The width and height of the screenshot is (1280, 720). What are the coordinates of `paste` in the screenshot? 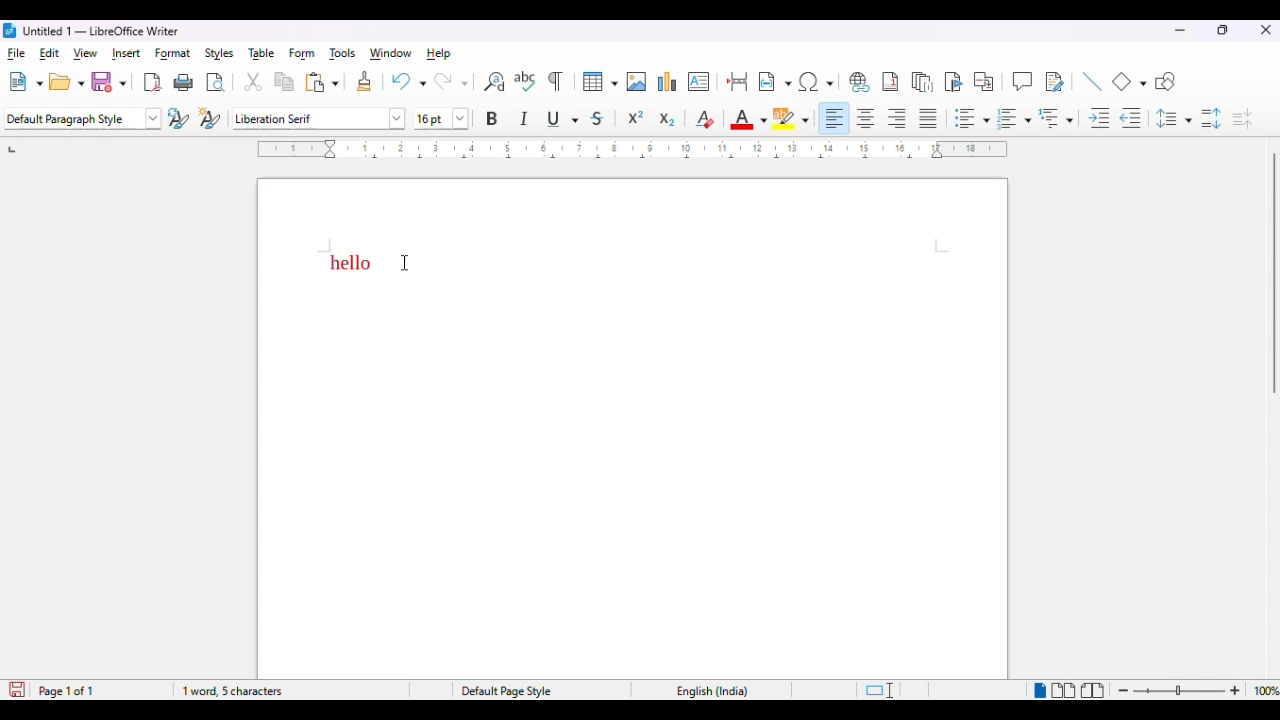 It's located at (322, 82).